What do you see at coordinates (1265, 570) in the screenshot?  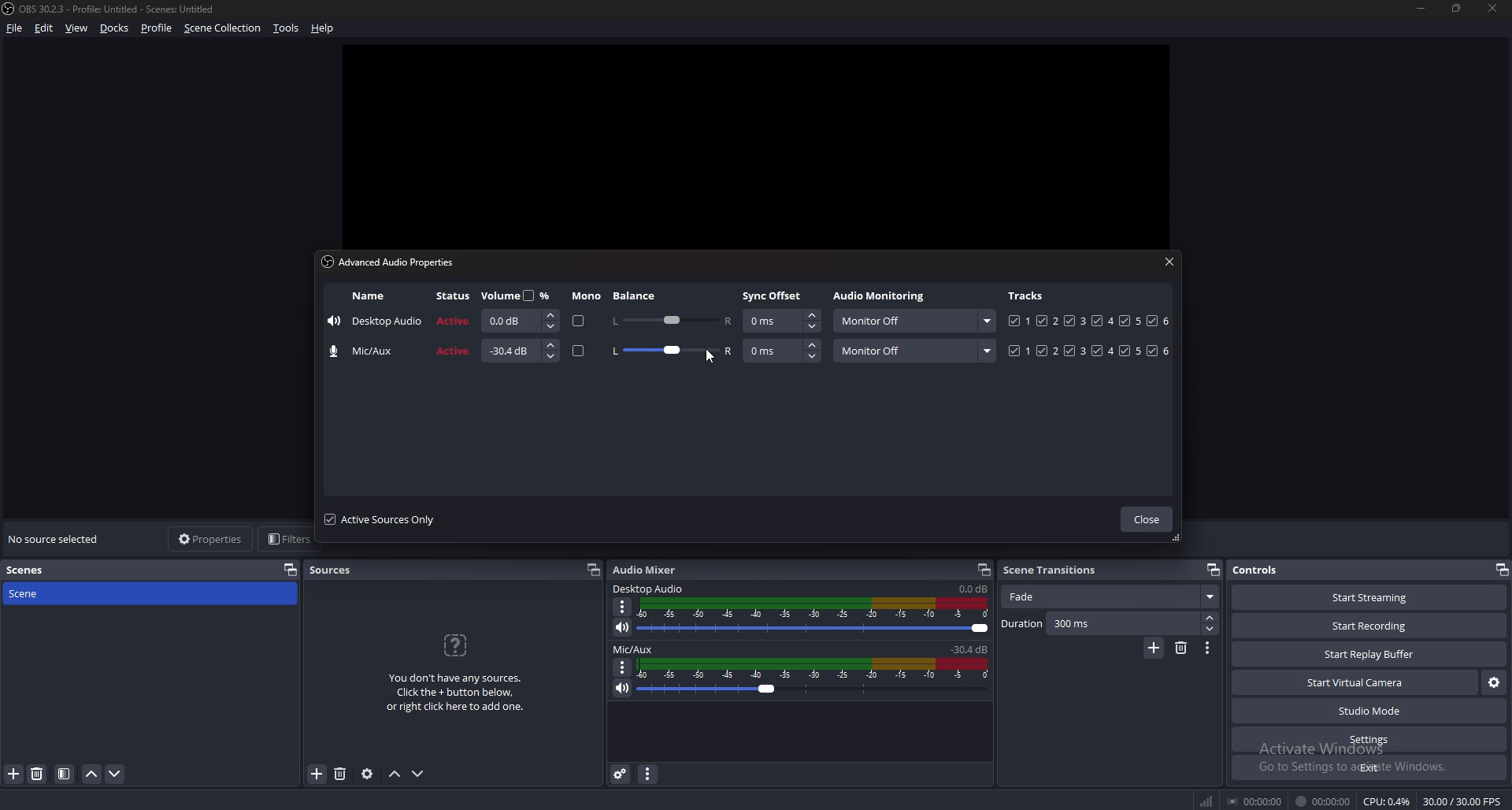 I see `controls` at bounding box center [1265, 570].